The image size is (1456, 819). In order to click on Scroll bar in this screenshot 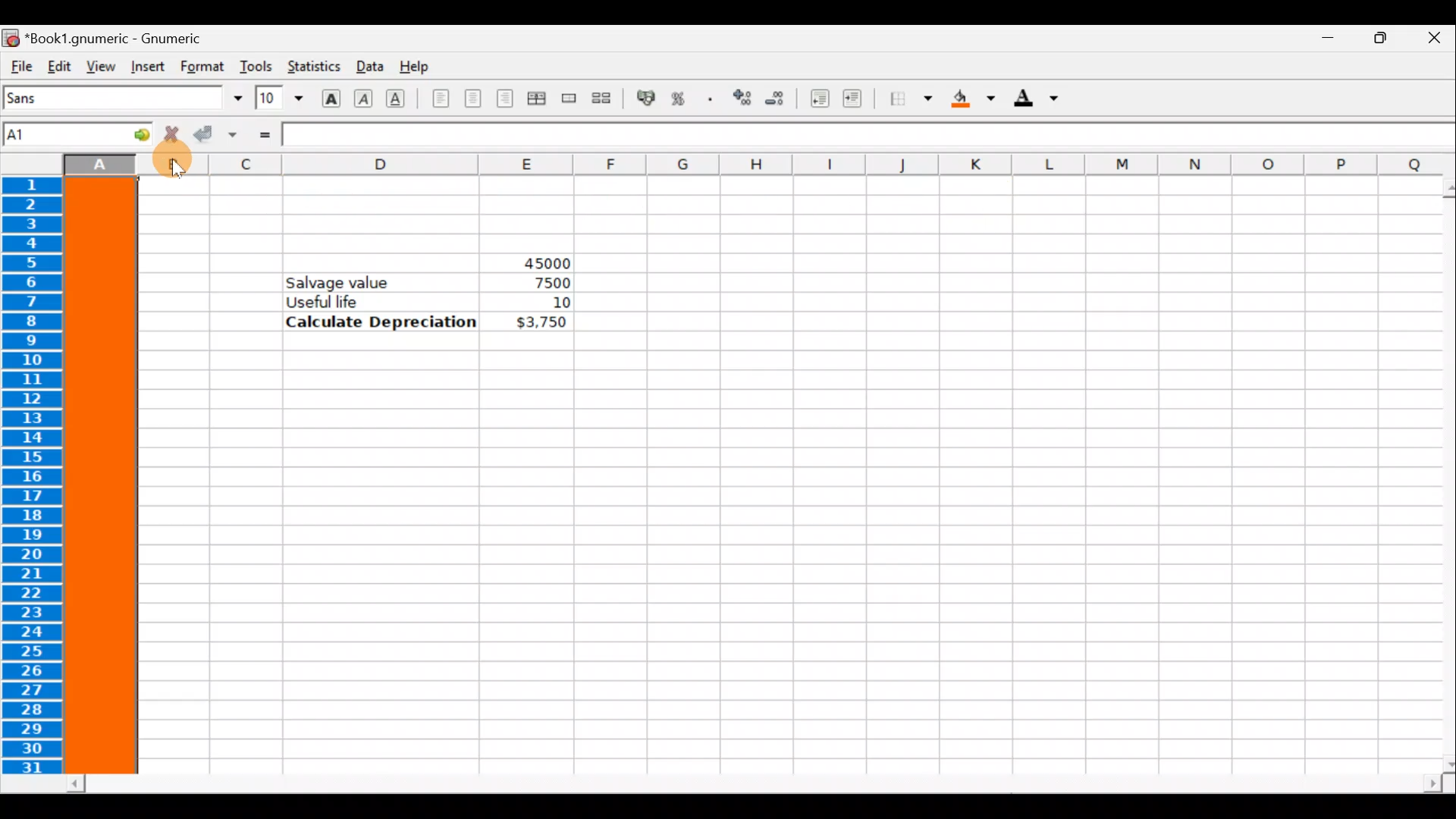, I will do `click(755, 784)`.